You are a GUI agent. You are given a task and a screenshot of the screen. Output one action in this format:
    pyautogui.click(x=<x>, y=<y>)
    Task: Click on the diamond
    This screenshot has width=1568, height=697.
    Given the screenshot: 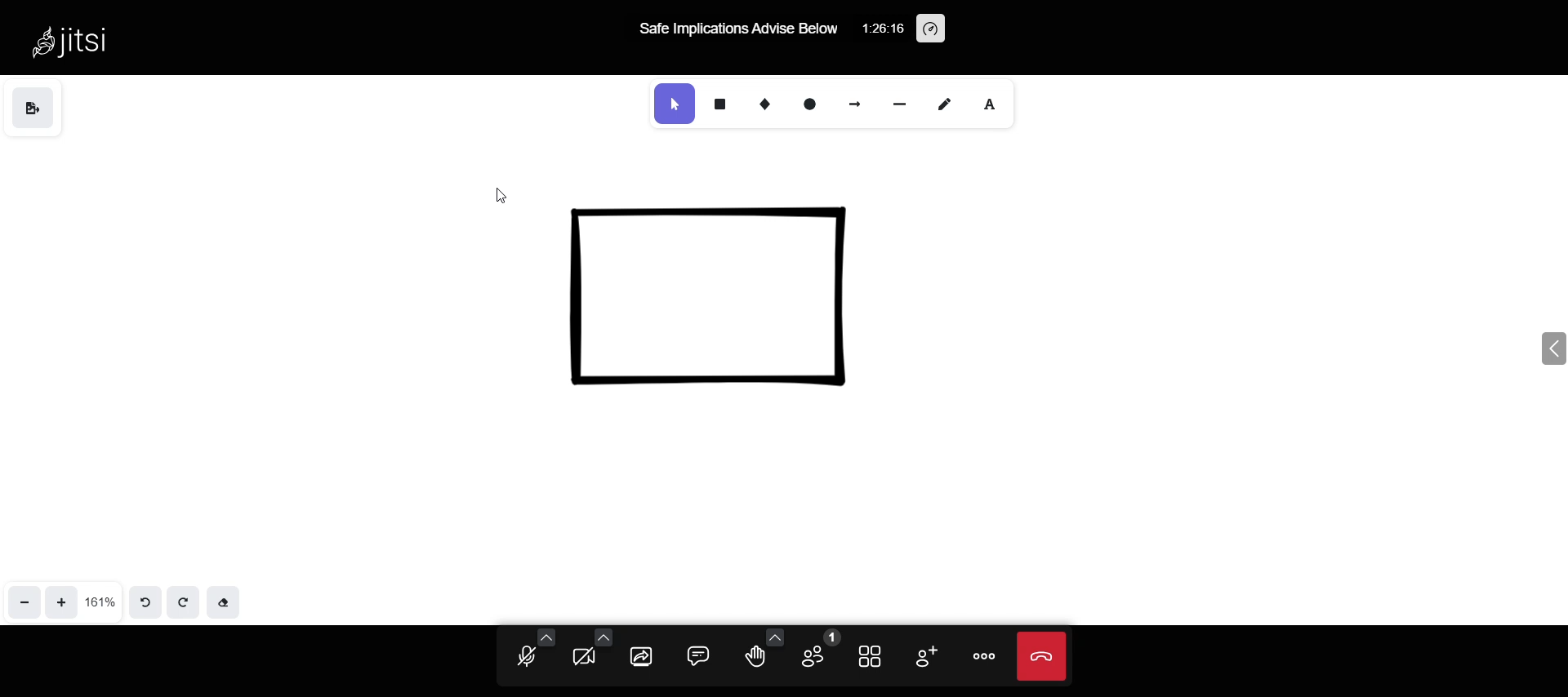 What is the action you would take?
    pyautogui.click(x=765, y=104)
    